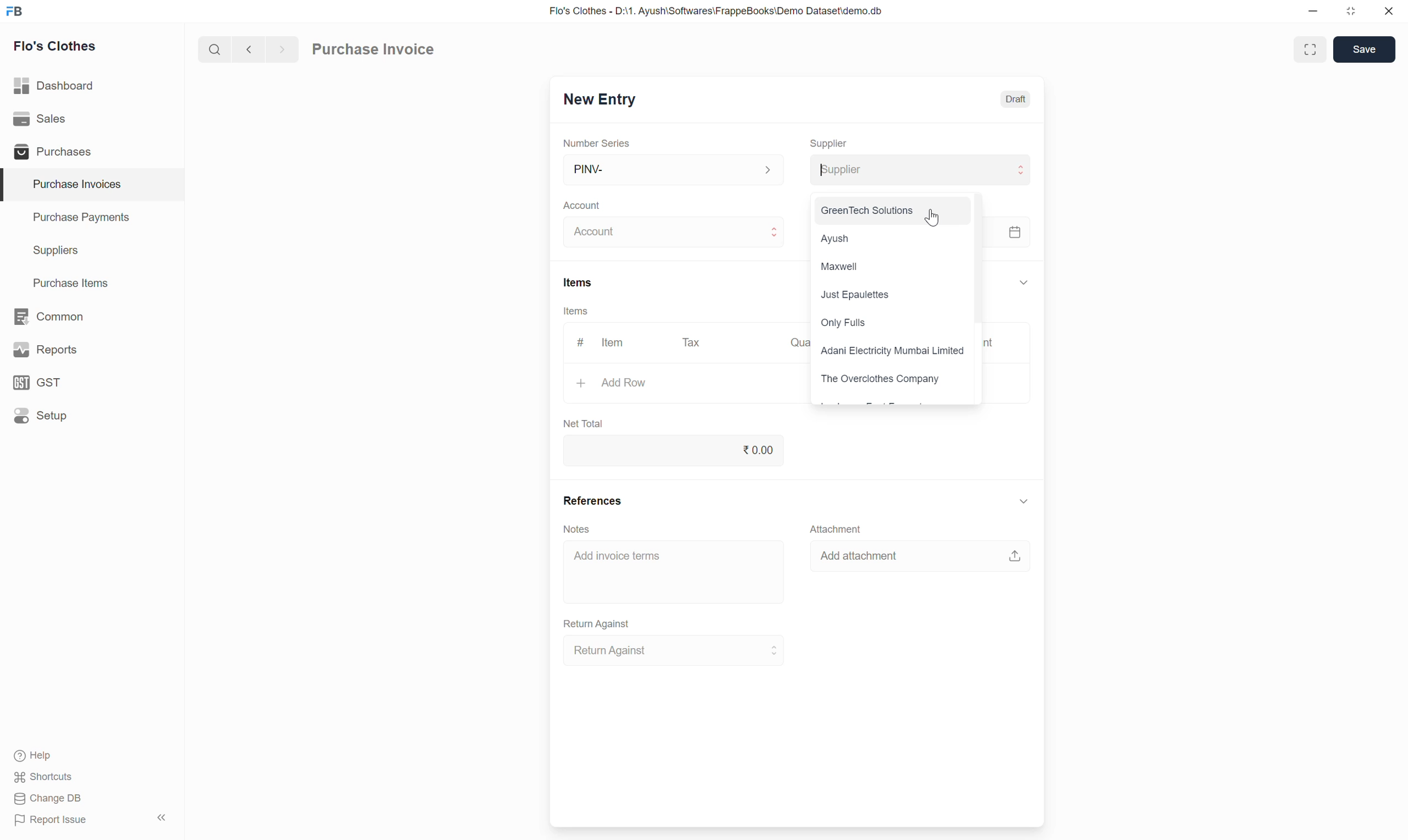  I want to click on Add Row, so click(684, 383).